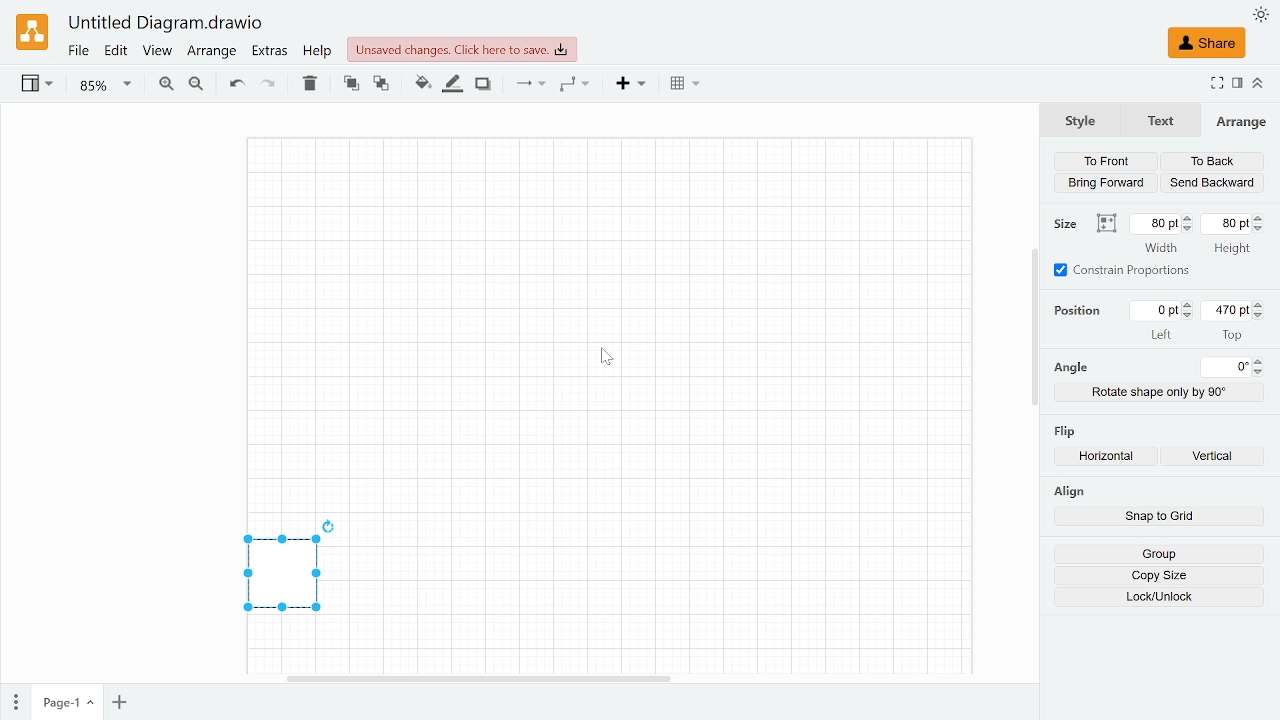 Image resolution: width=1280 pixels, height=720 pixels. What do you see at coordinates (685, 85) in the screenshot?
I see `Table` at bounding box center [685, 85].